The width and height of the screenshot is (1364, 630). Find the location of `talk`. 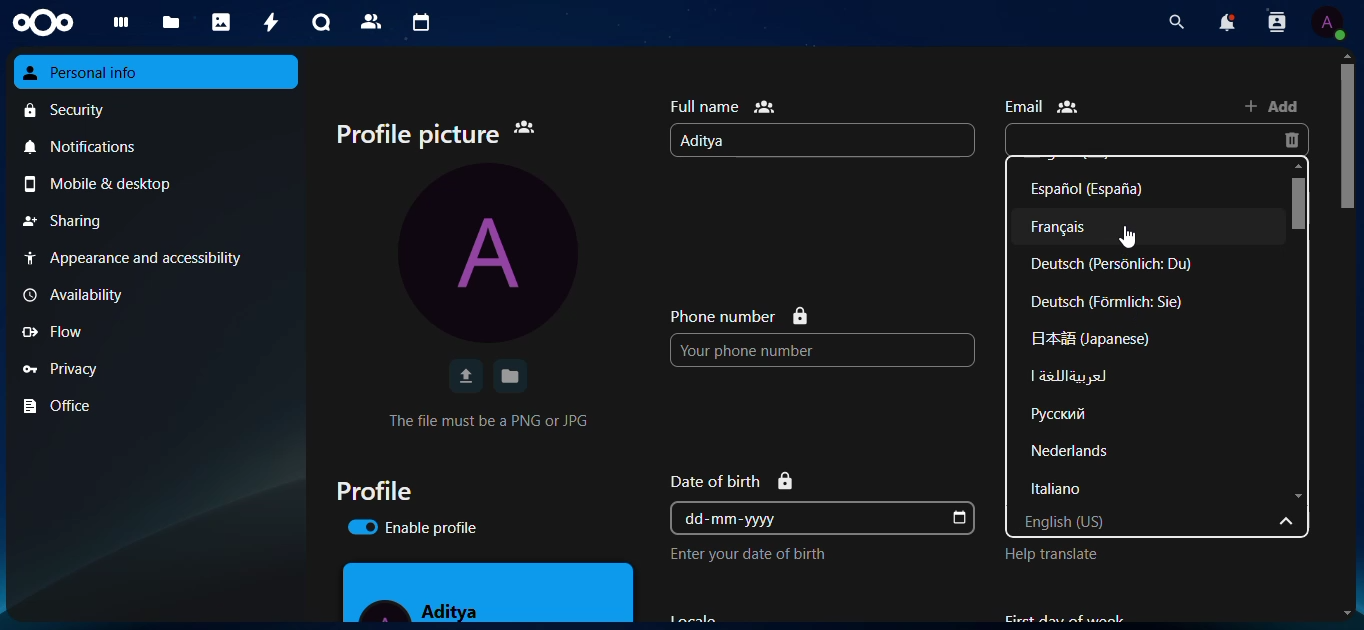

talk is located at coordinates (319, 22).